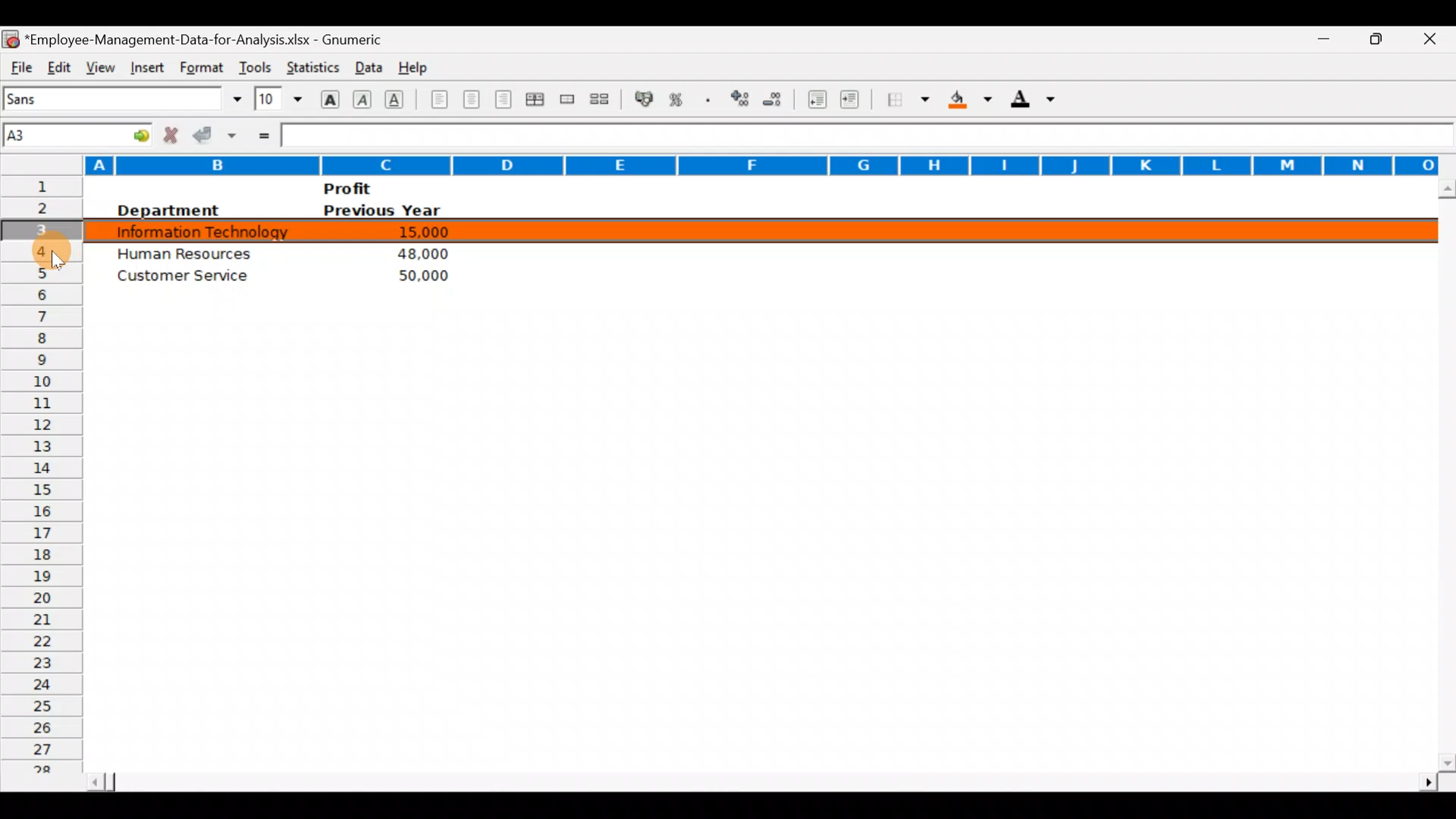 The height and width of the screenshot is (819, 1456). What do you see at coordinates (868, 136) in the screenshot?
I see `Formula bar` at bounding box center [868, 136].